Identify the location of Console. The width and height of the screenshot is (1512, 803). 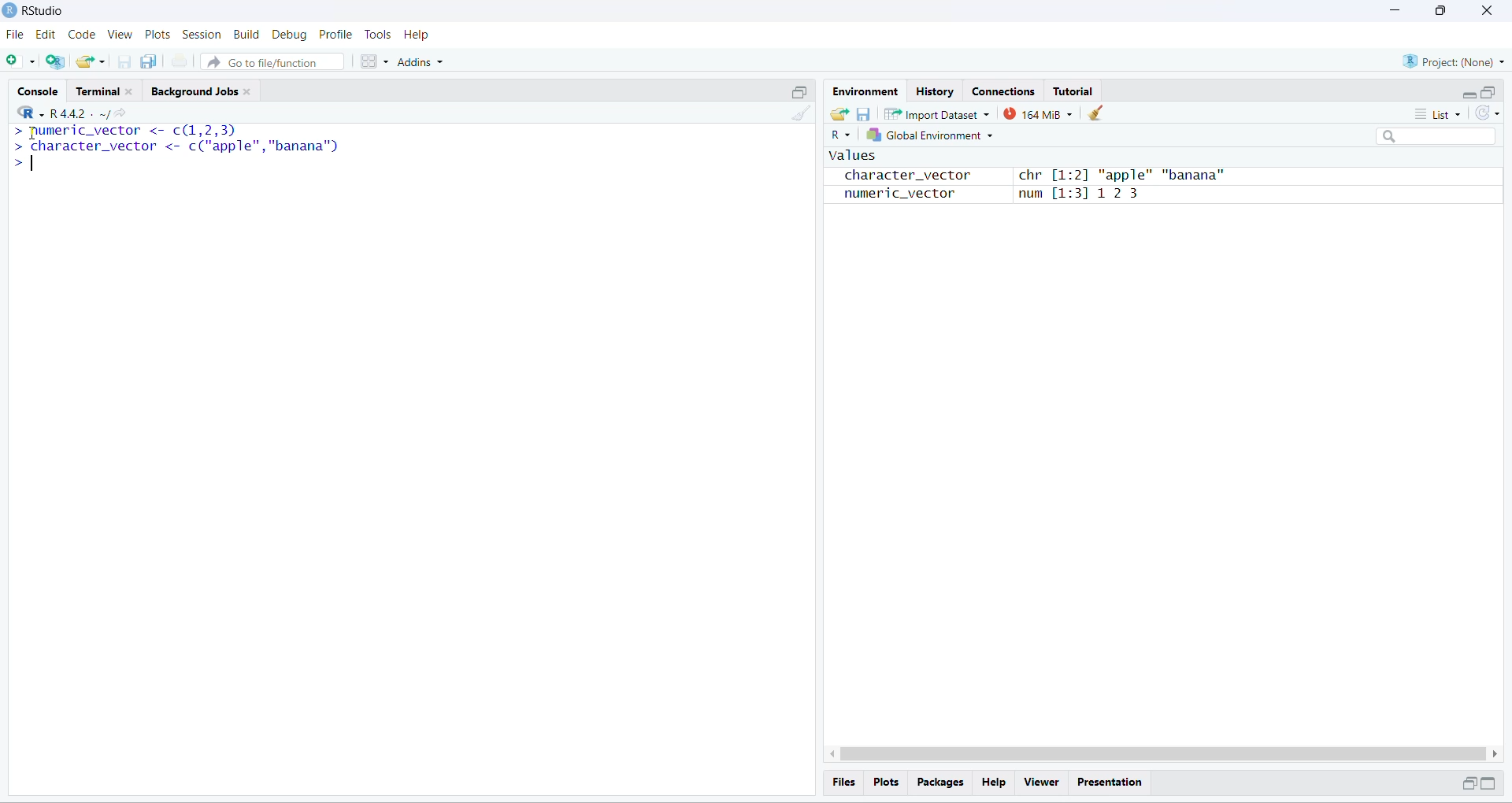
(37, 89).